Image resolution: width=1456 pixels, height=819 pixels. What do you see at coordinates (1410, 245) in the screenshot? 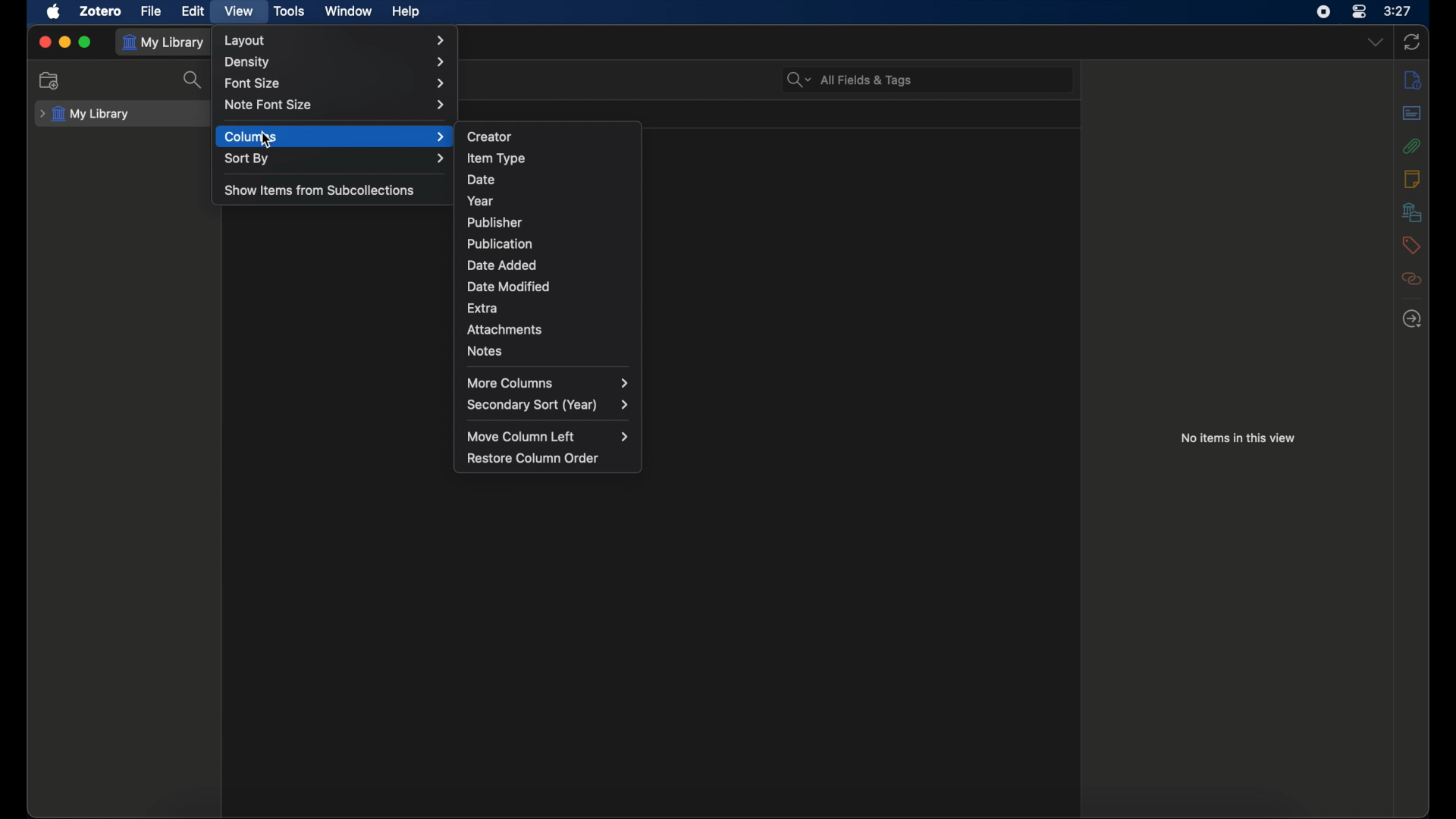
I see `tags` at bounding box center [1410, 245].